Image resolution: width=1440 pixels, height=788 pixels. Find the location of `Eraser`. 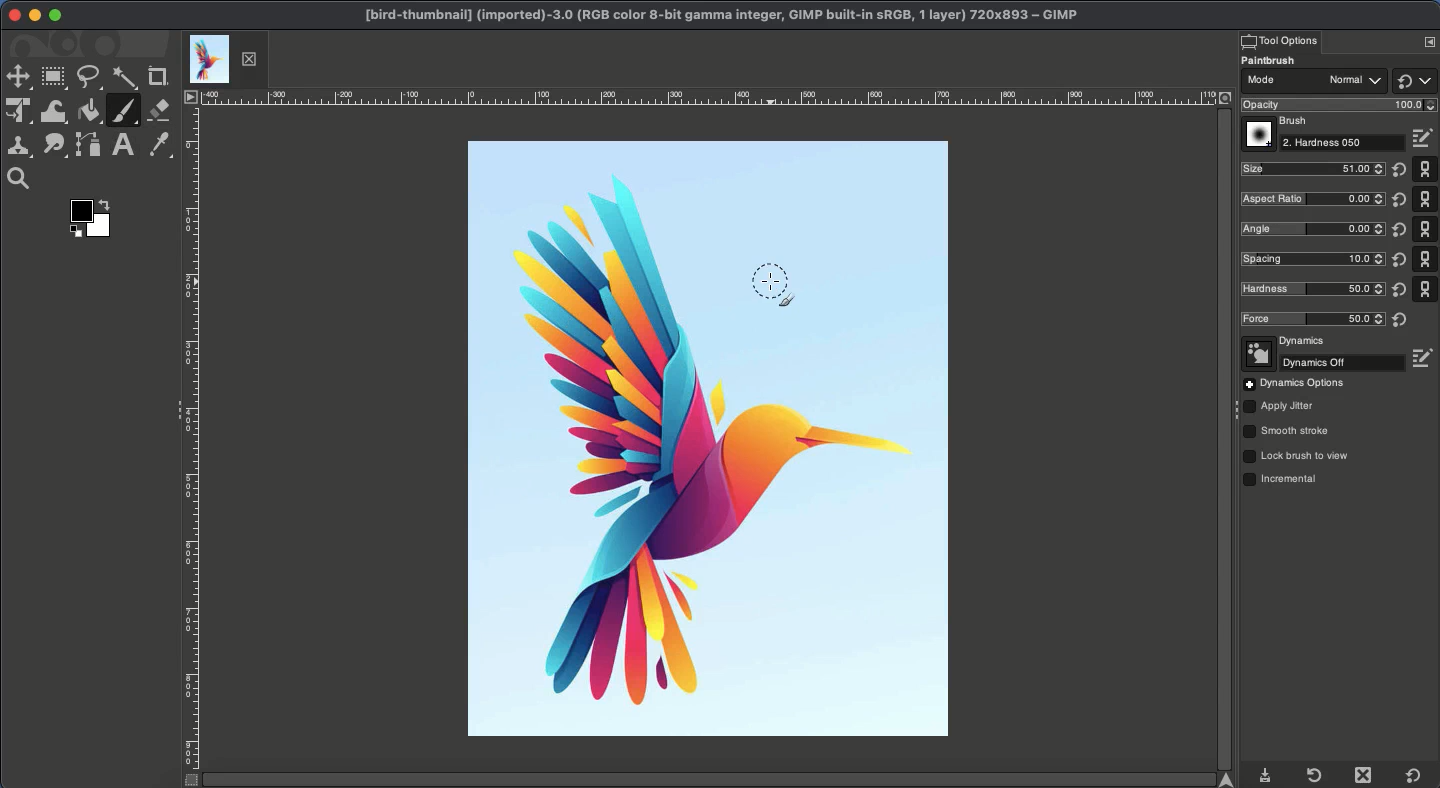

Eraser is located at coordinates (160, 110).